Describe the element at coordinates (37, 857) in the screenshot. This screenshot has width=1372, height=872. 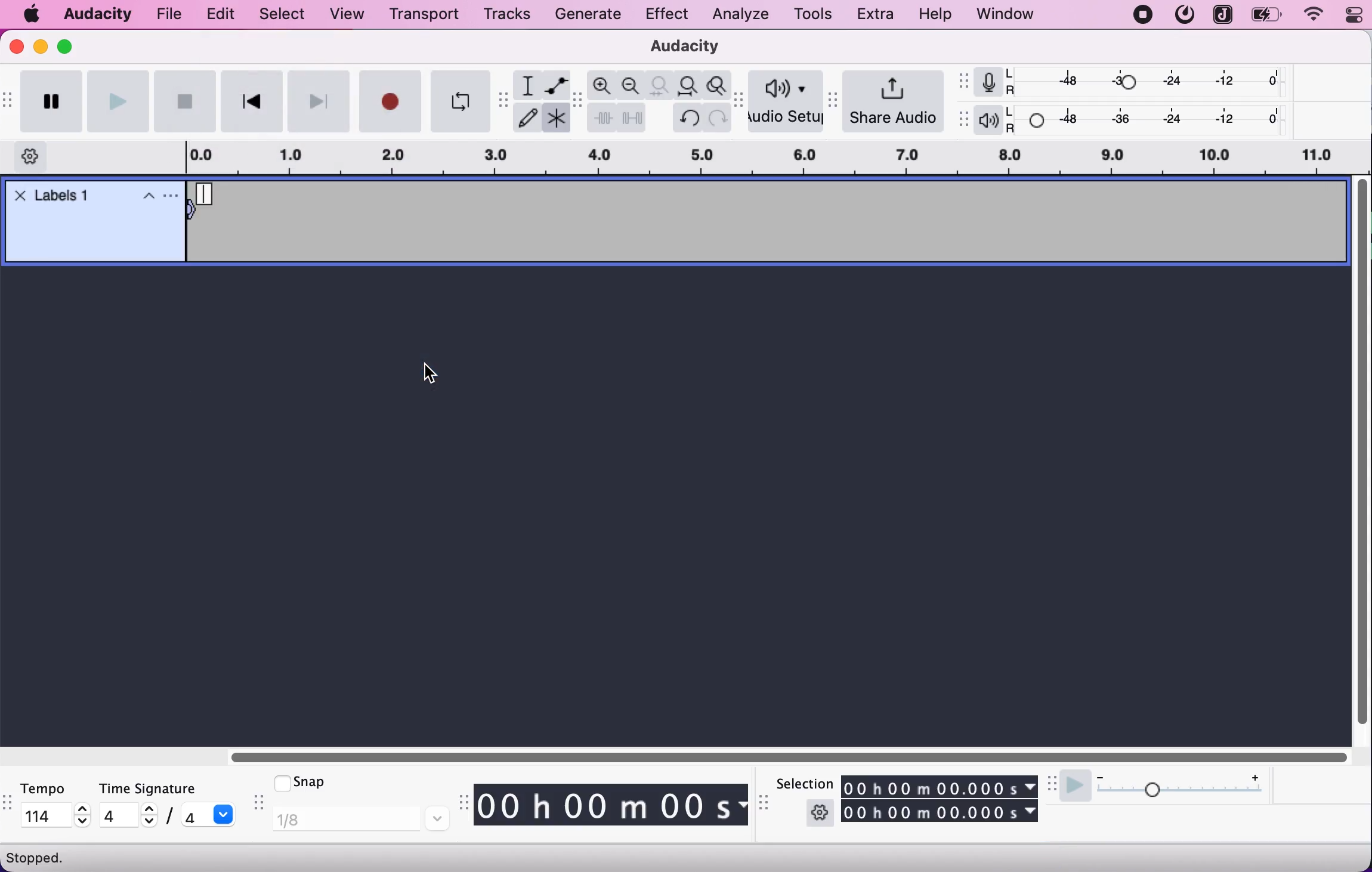
I see `stopped` at that location.